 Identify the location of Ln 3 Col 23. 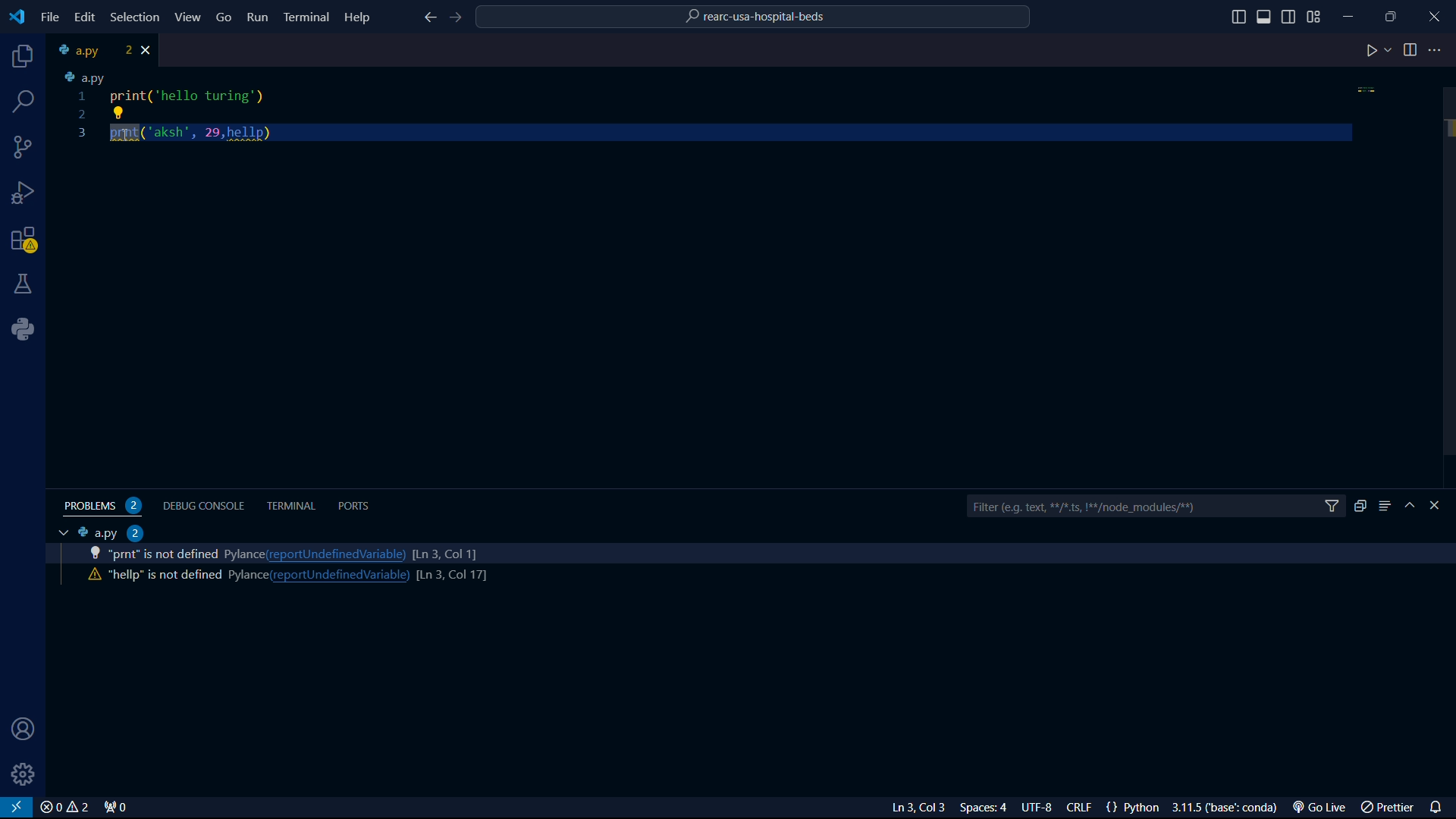
(897, 808).